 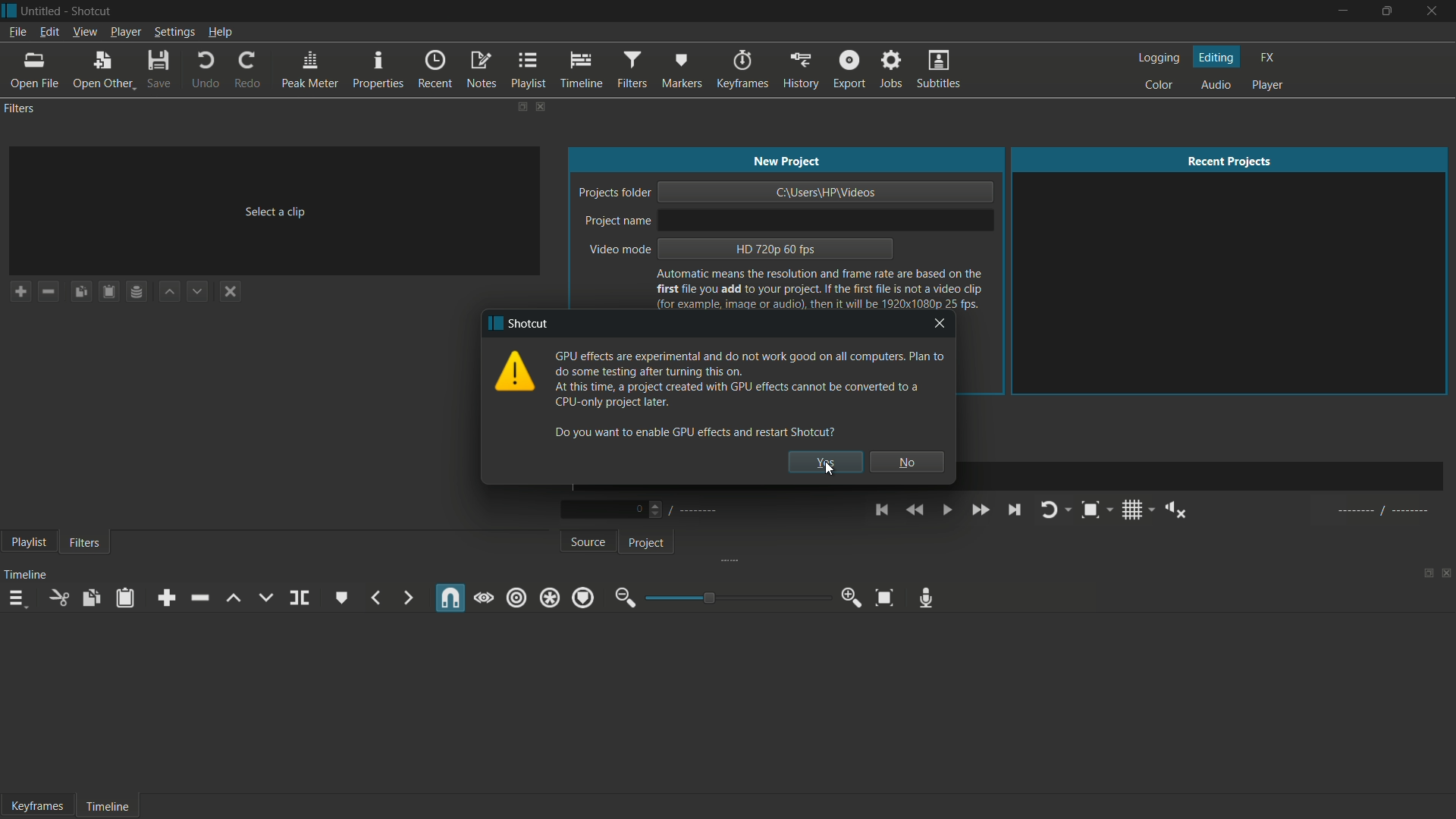 What do you see at coordinates (275, 212) in the screenshot?
I see `select a clip` at bounding box center [275, 212].